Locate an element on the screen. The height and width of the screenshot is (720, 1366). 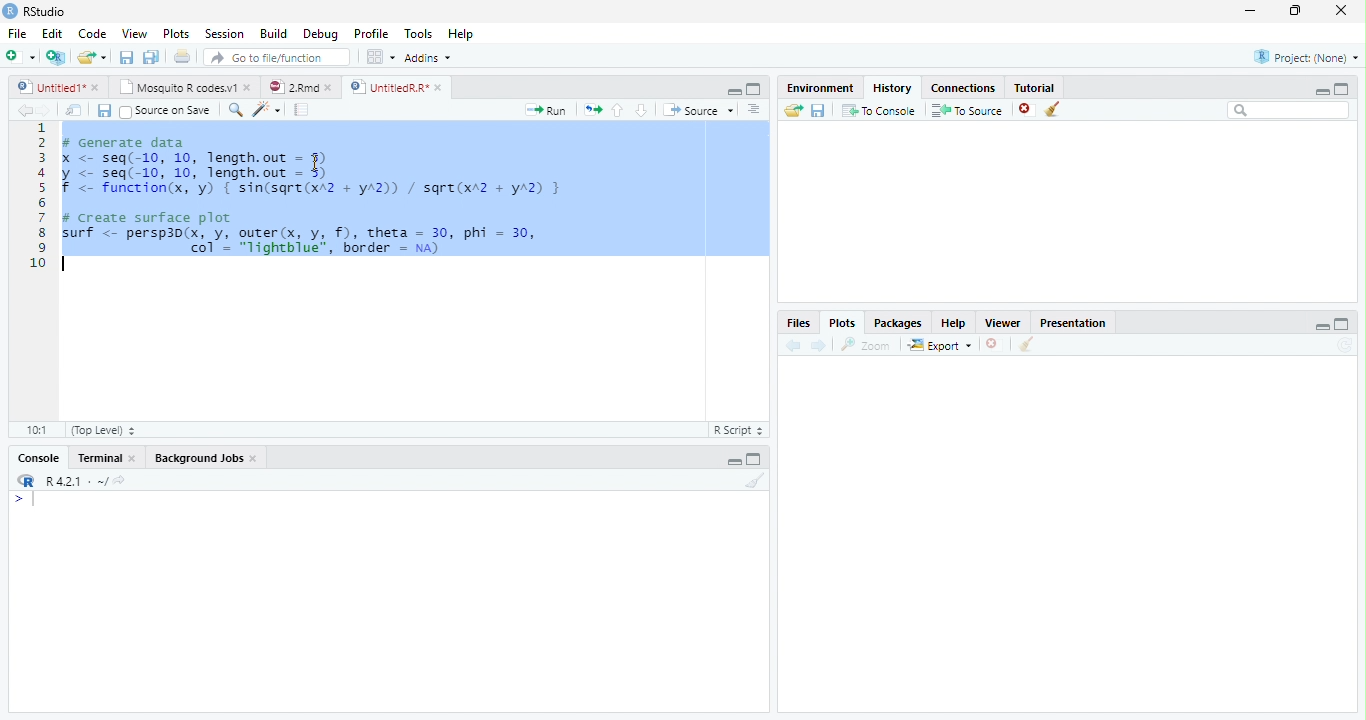
maximize is located at coordinates (1342, 89).